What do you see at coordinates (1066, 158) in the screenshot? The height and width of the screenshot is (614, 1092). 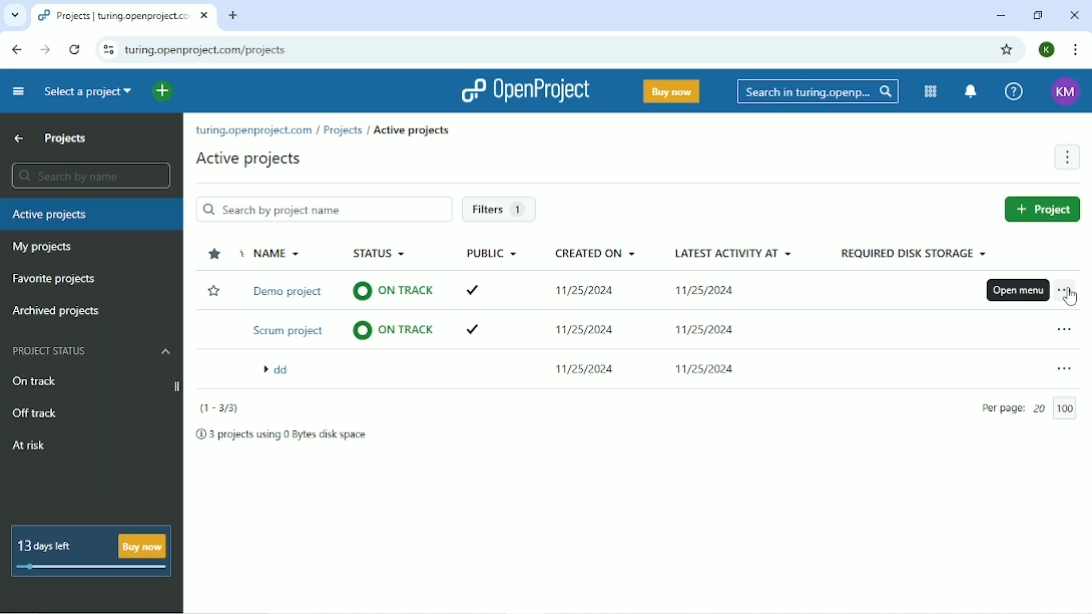 I see `More` at bounding box center [1066, 158].